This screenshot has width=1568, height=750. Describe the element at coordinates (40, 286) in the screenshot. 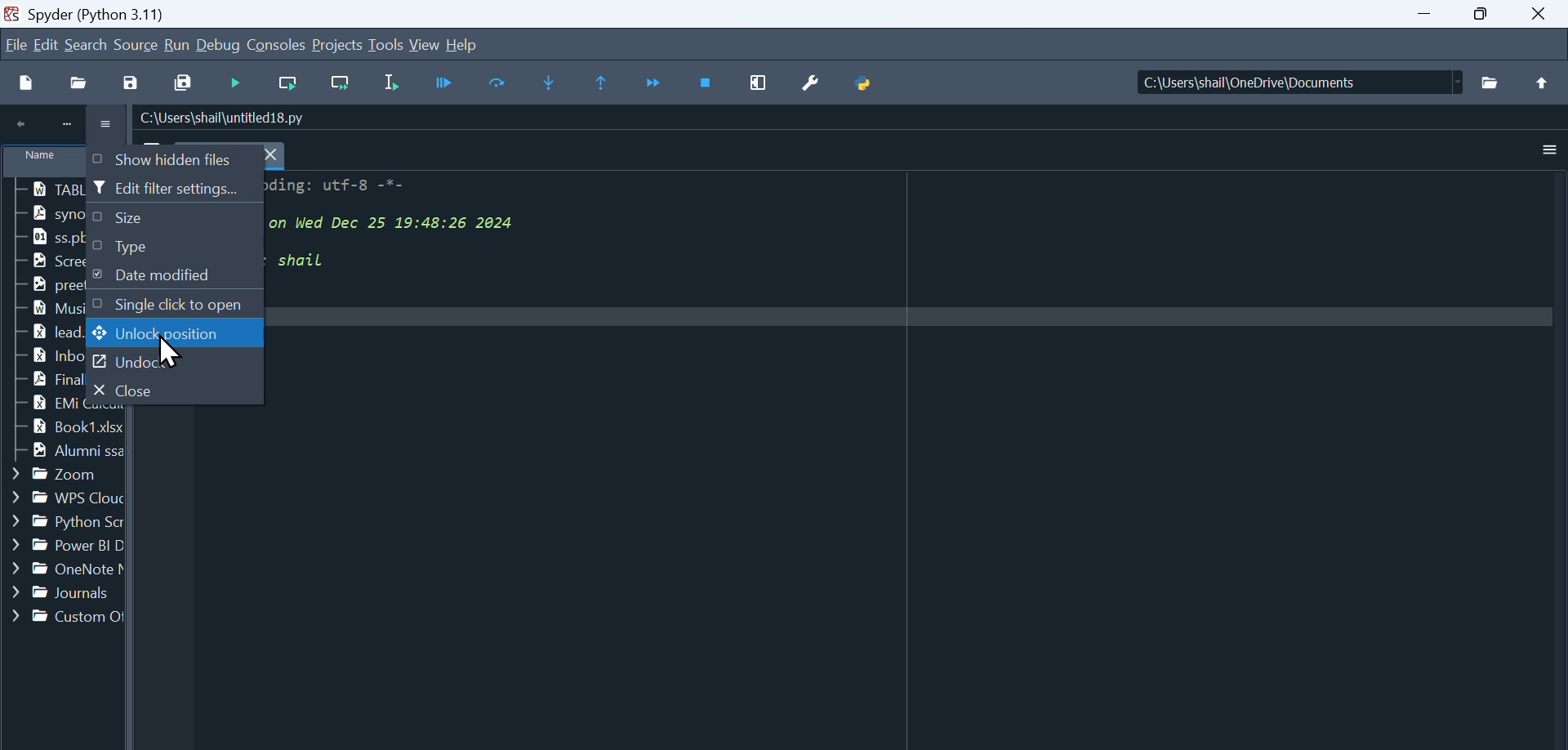

I see `preeti Alur.` at that location.